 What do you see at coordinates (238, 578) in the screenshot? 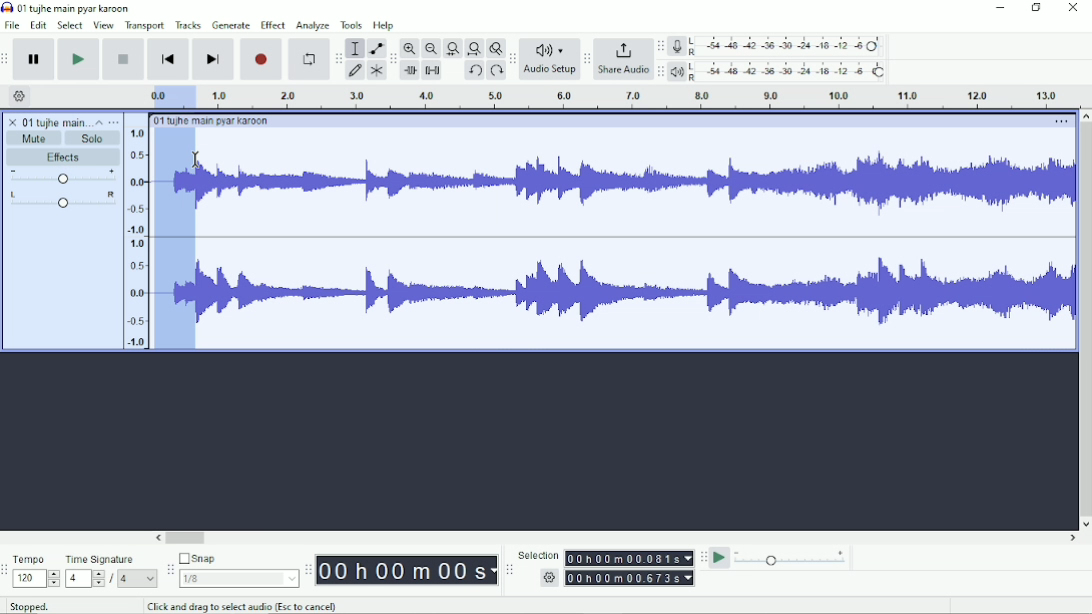
I see `1/8` at bounding box center [238, 578].